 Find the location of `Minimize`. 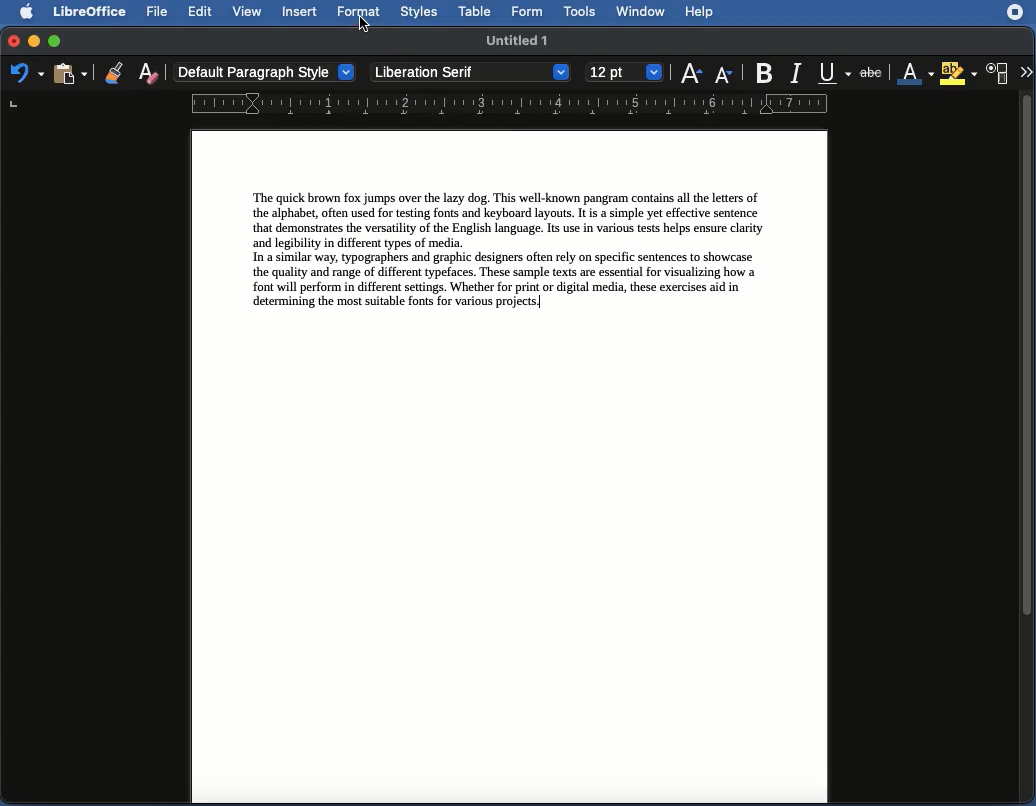

Minimize is located at coordinates (32, 39).